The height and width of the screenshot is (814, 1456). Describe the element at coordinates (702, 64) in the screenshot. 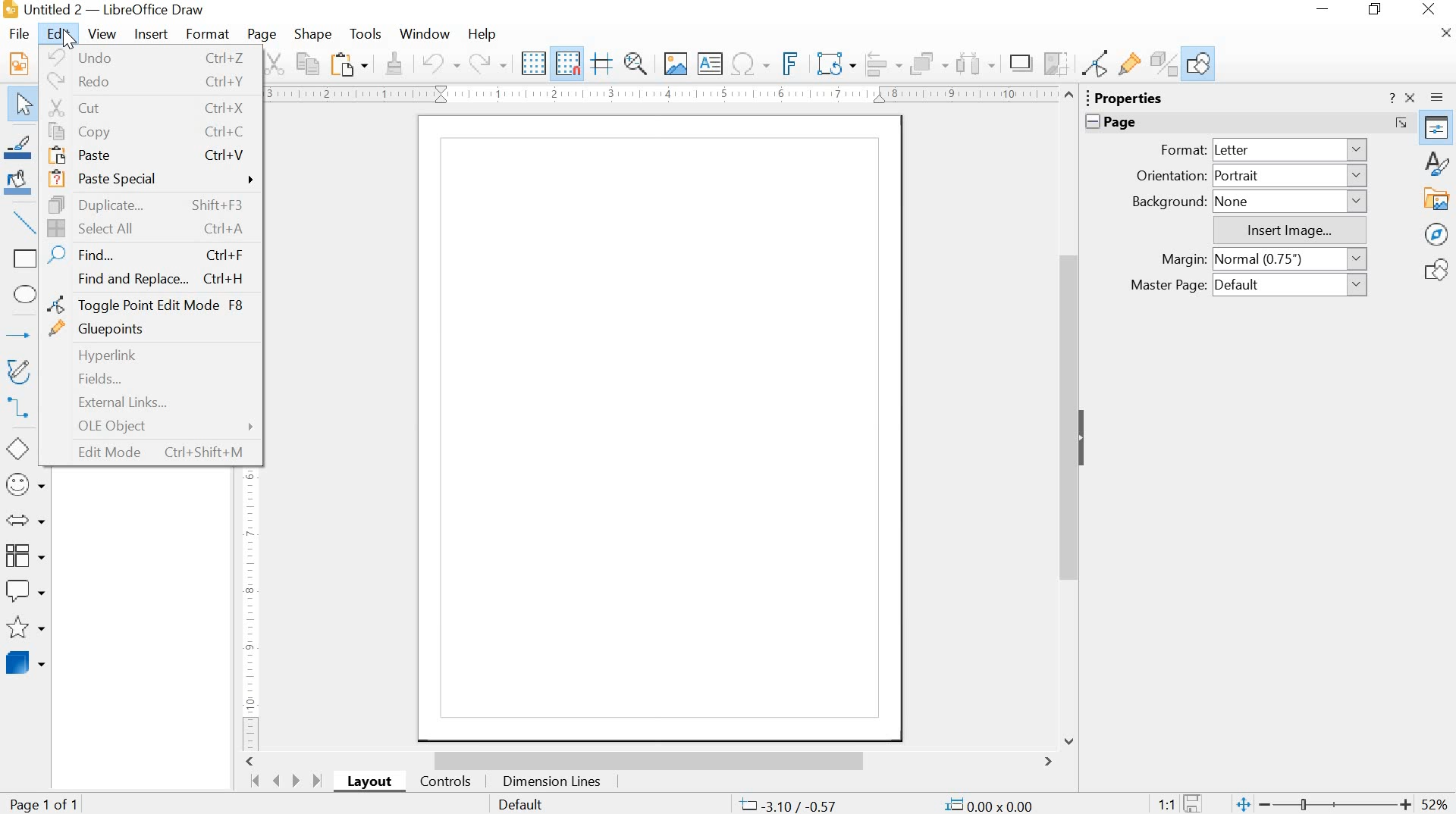

I see `Insert Text Box (double click for multi-selection)` at that location.